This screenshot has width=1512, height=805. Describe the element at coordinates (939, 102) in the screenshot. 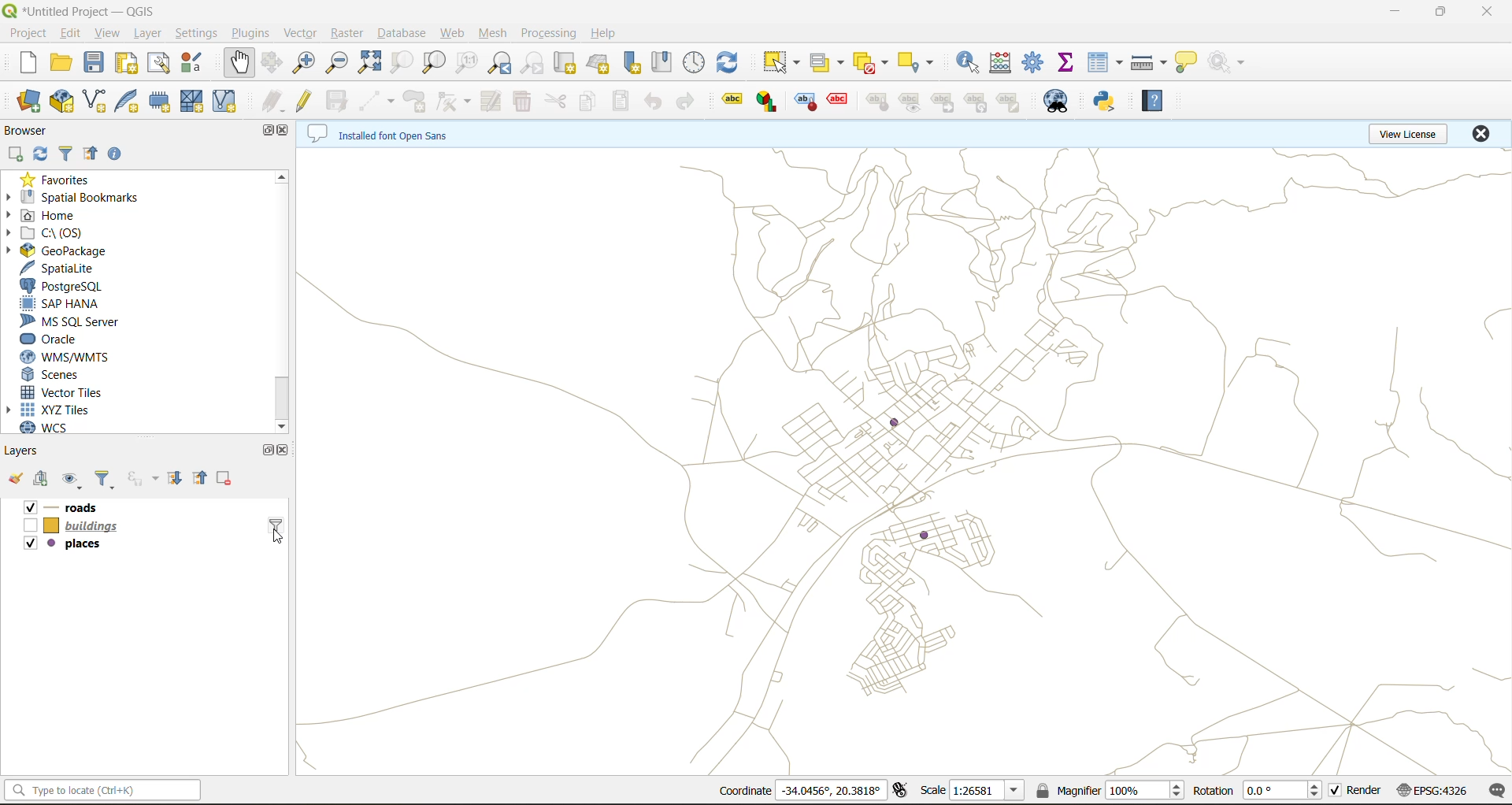

I see `Move Label` at that location.